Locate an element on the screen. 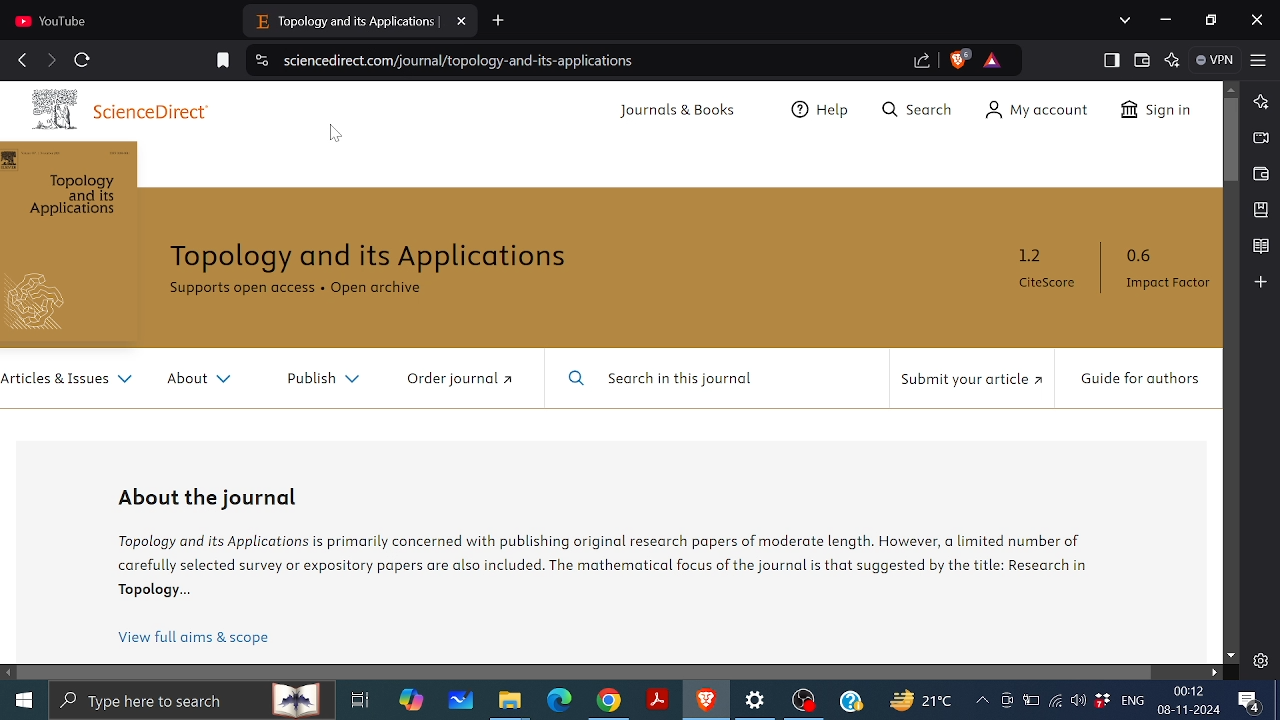  Brave shield is located at coordinates (959, 59).